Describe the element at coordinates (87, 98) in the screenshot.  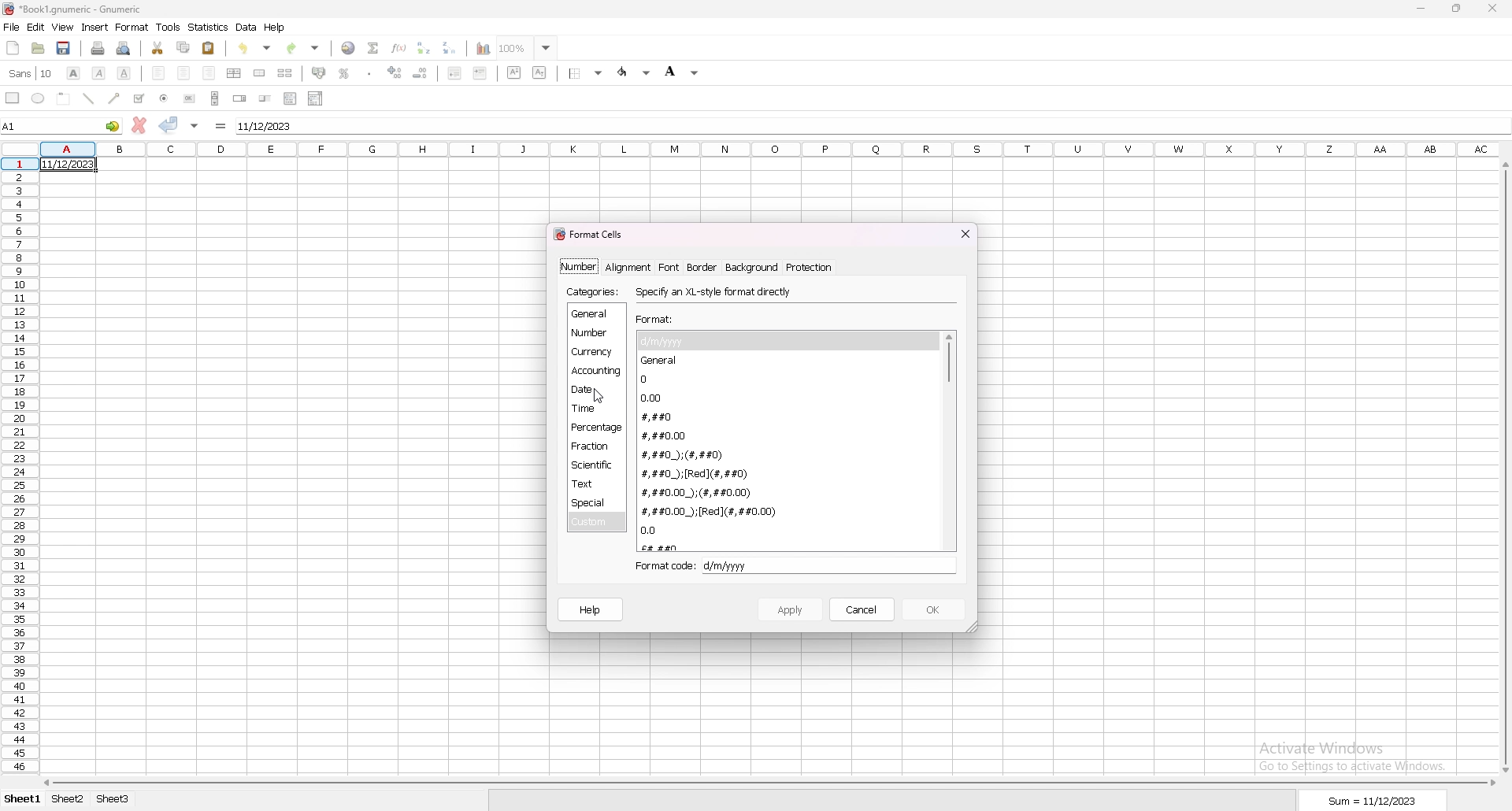
I see `line` at that location.